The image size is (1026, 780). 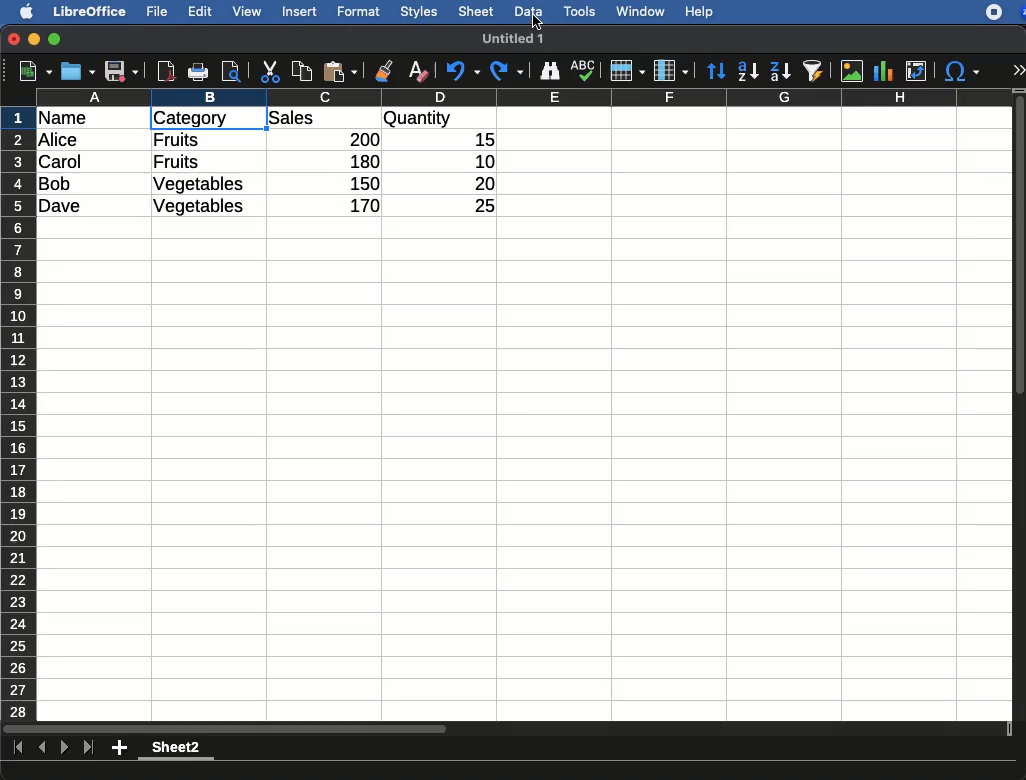 What do you see at coordinates (359, 12) in the screenshot?
I see `format` at bounding box center [359, 12].